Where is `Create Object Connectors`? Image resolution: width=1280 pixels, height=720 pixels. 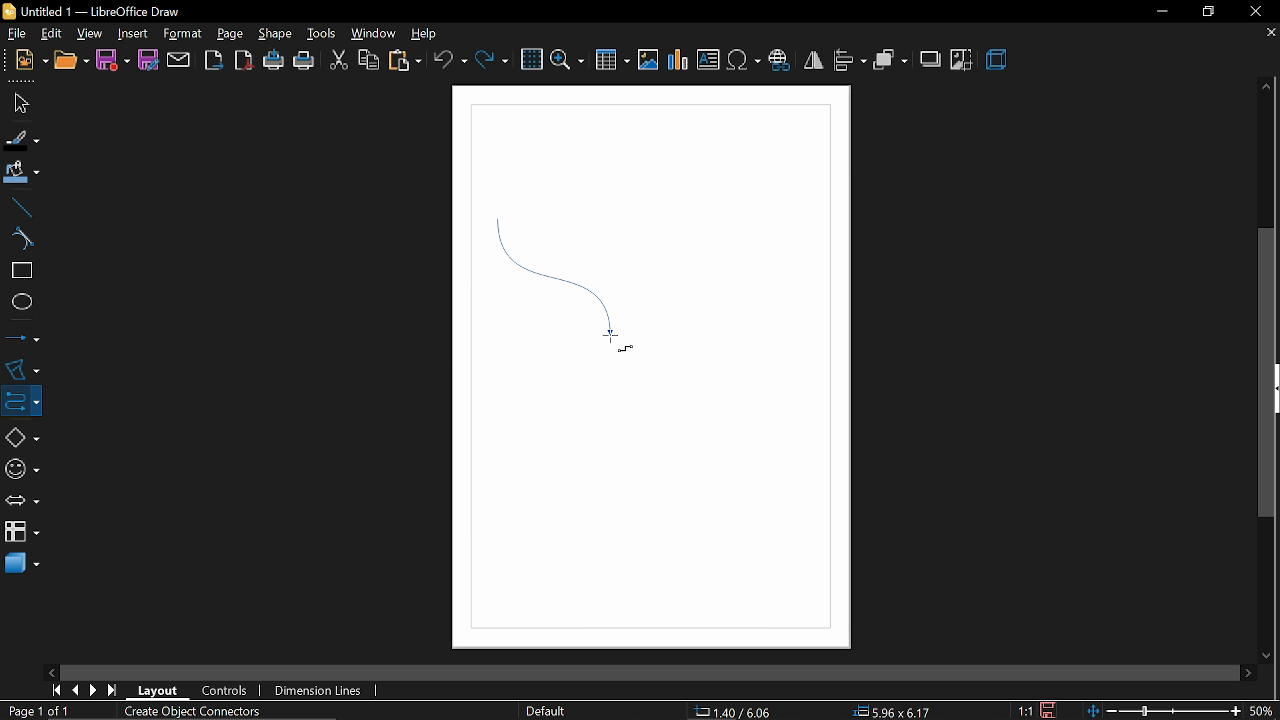
Create Object Connectors is located at coordinates (188, 712).